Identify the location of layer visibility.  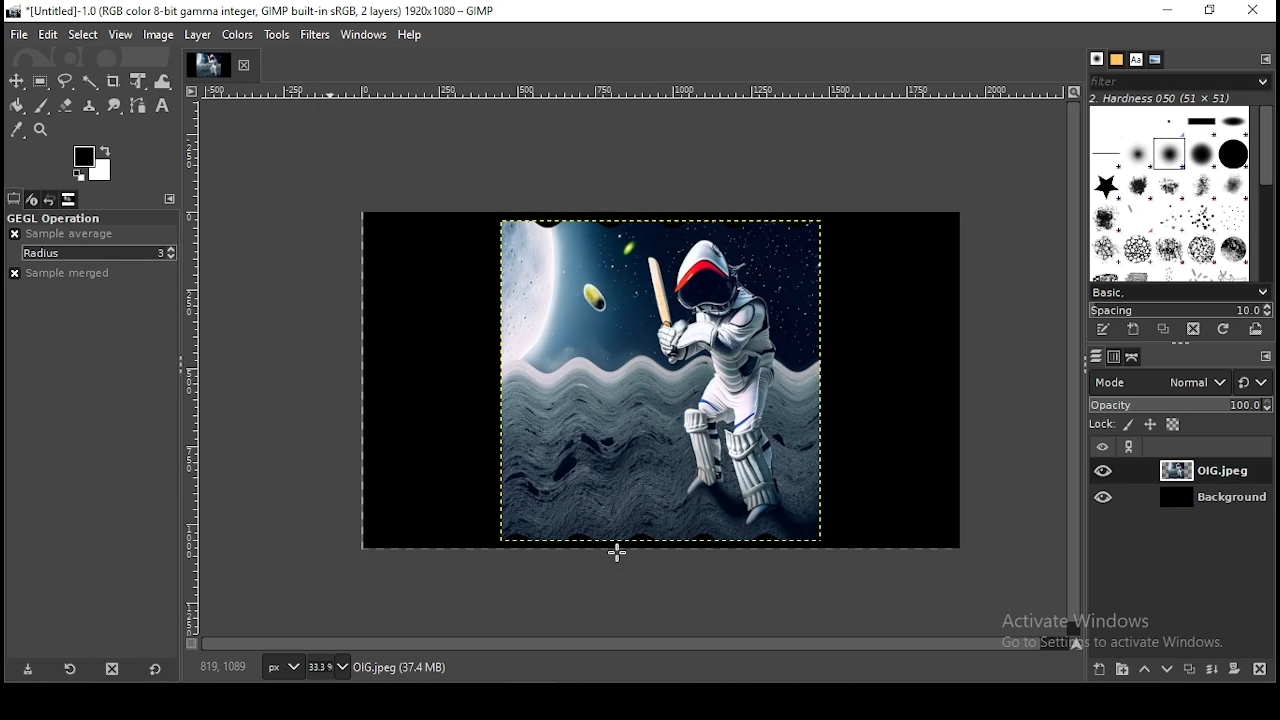
(1102, 447).